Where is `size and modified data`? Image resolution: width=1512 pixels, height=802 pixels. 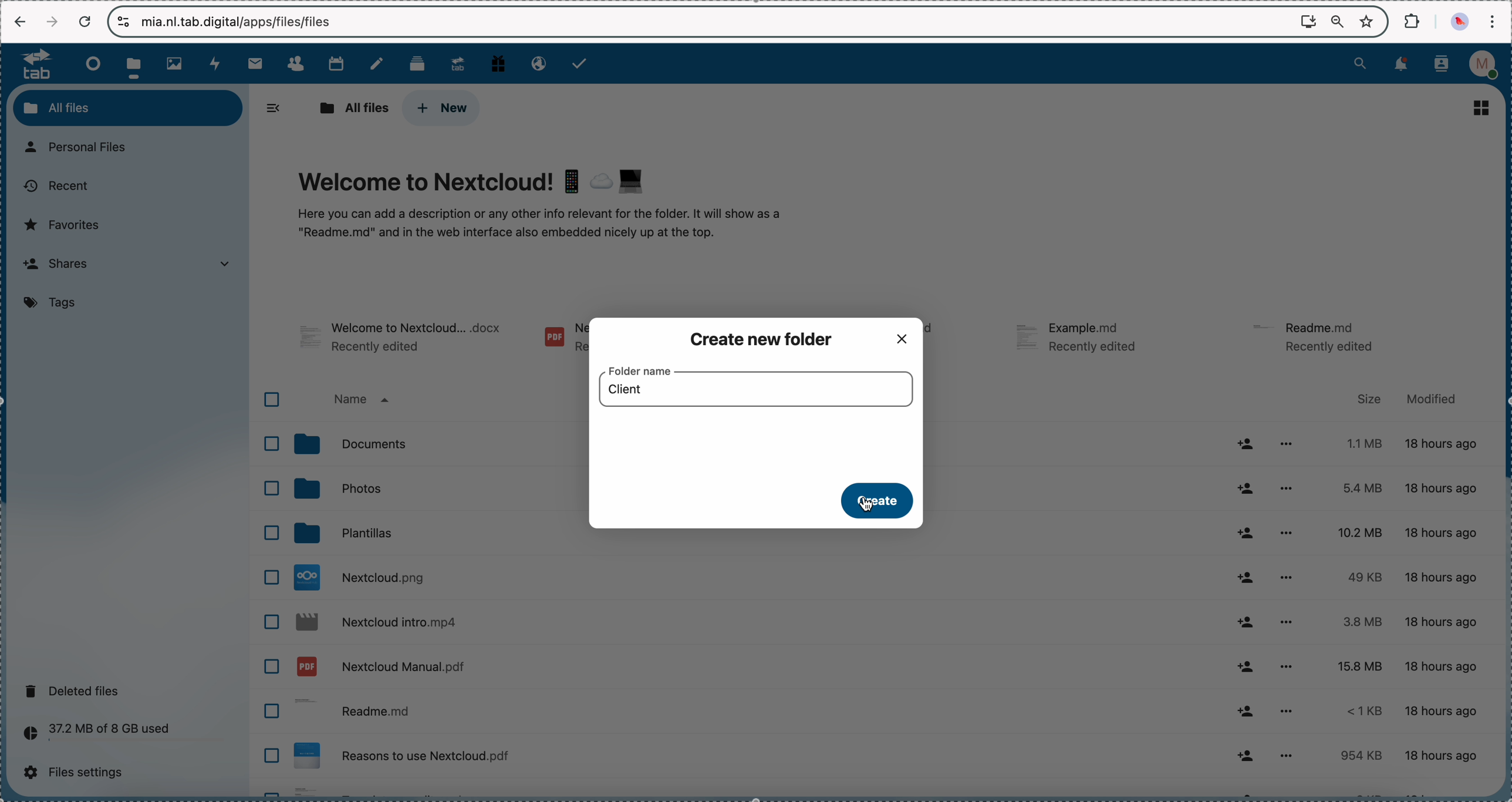
size and modified data is located at coordinates (1414, 601).